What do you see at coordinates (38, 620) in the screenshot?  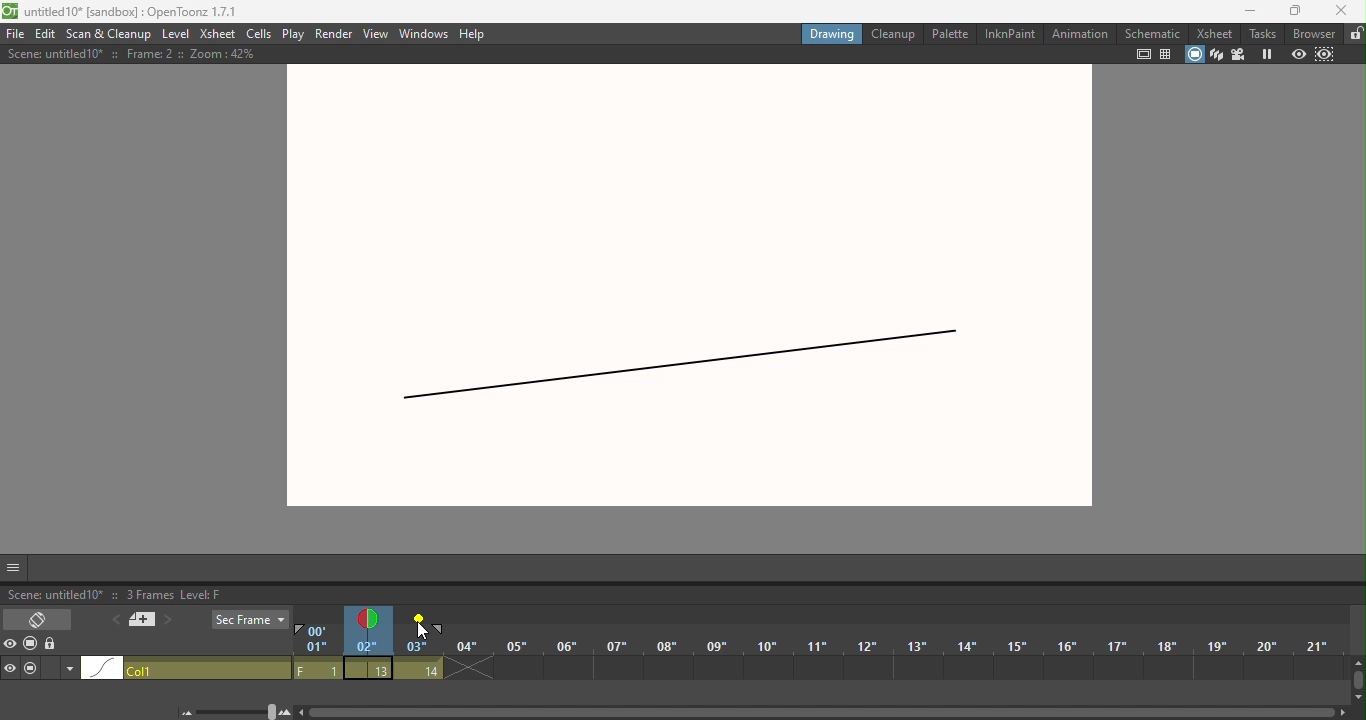 I see `Toggle Xsheet/timeline` at bounding box center [38, 620].